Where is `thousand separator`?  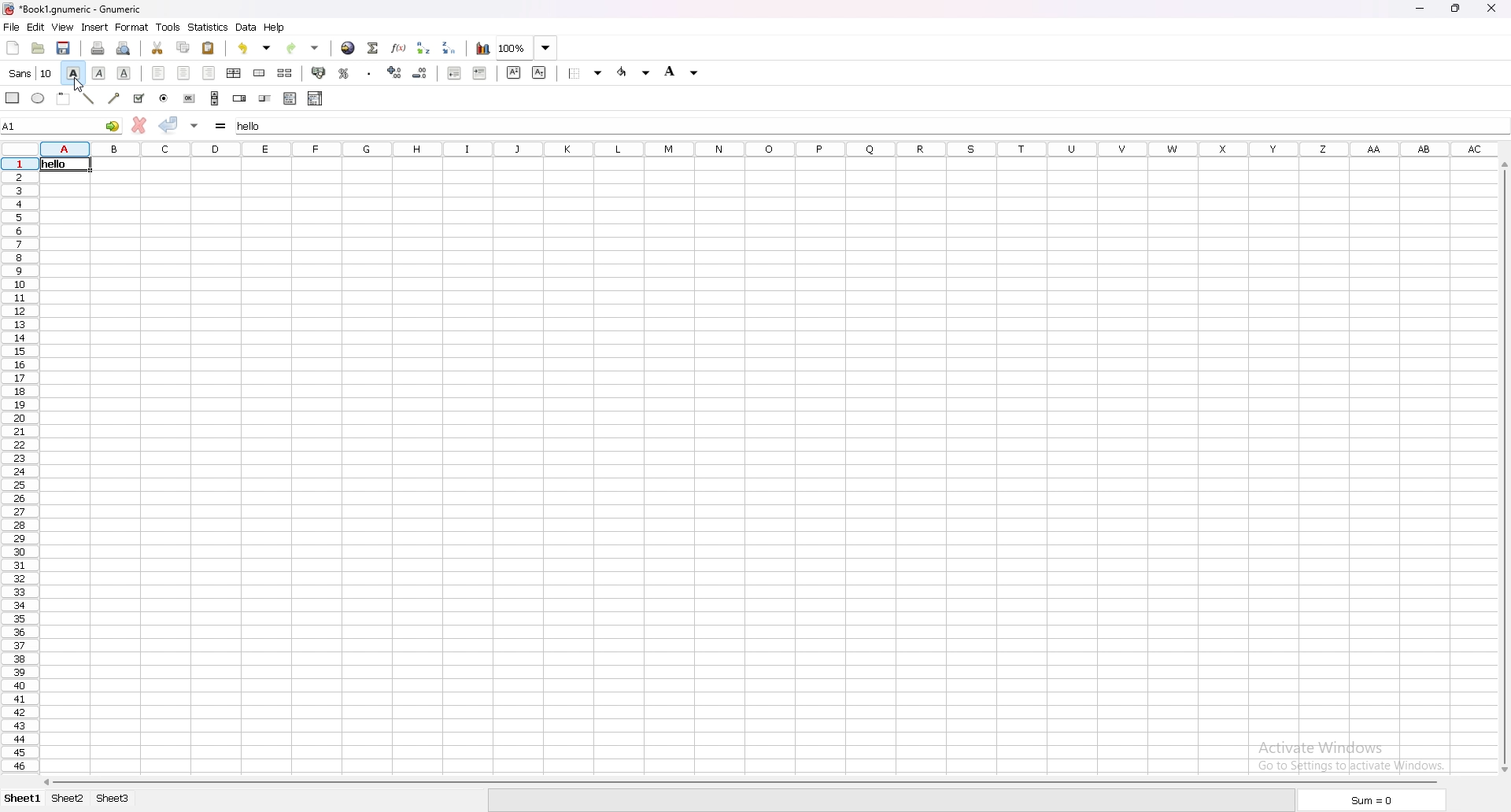
thousand separator is located at coordinates (370, 74).